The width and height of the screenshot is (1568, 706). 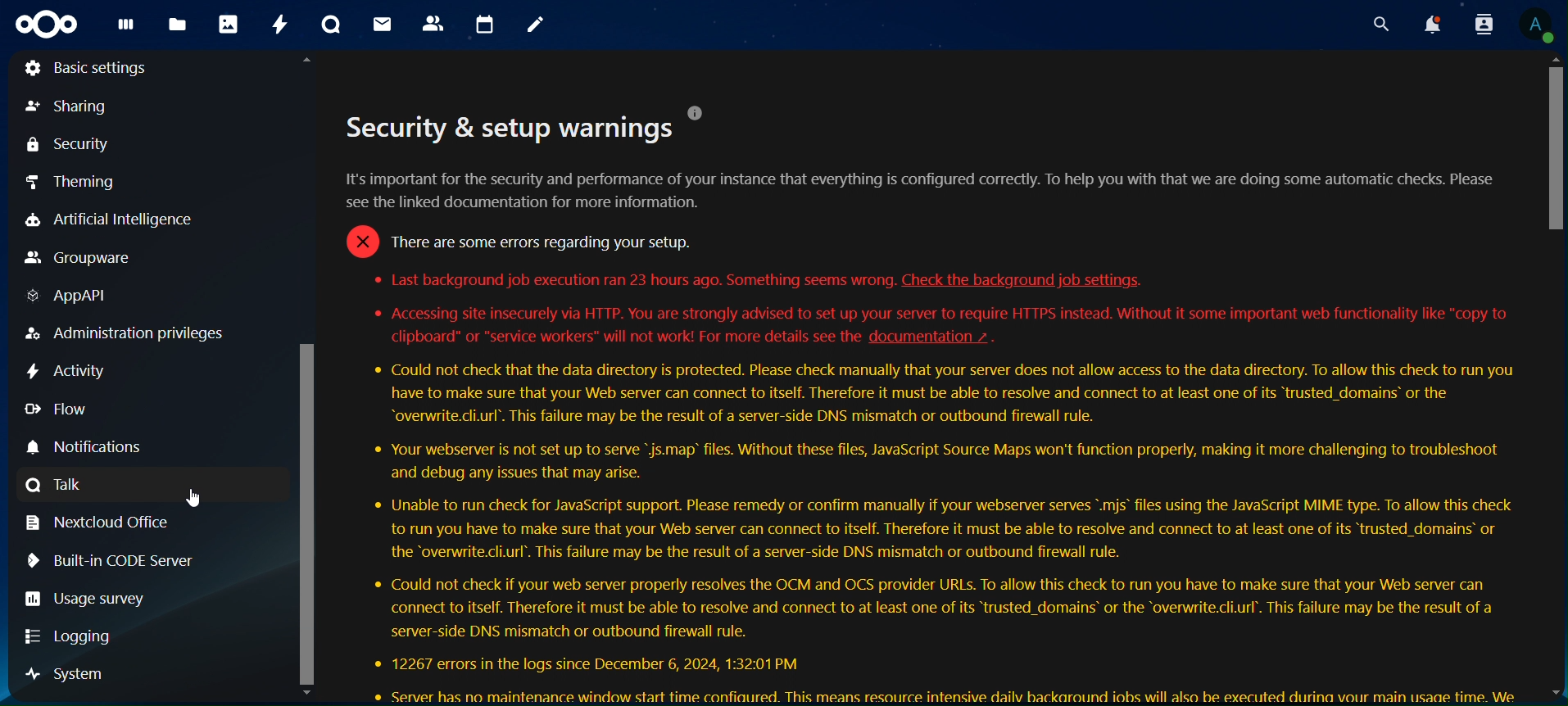 What do you see at coordinates (70, 370) in the screenshot?
I see `activity` at bounding box center [70, 370].